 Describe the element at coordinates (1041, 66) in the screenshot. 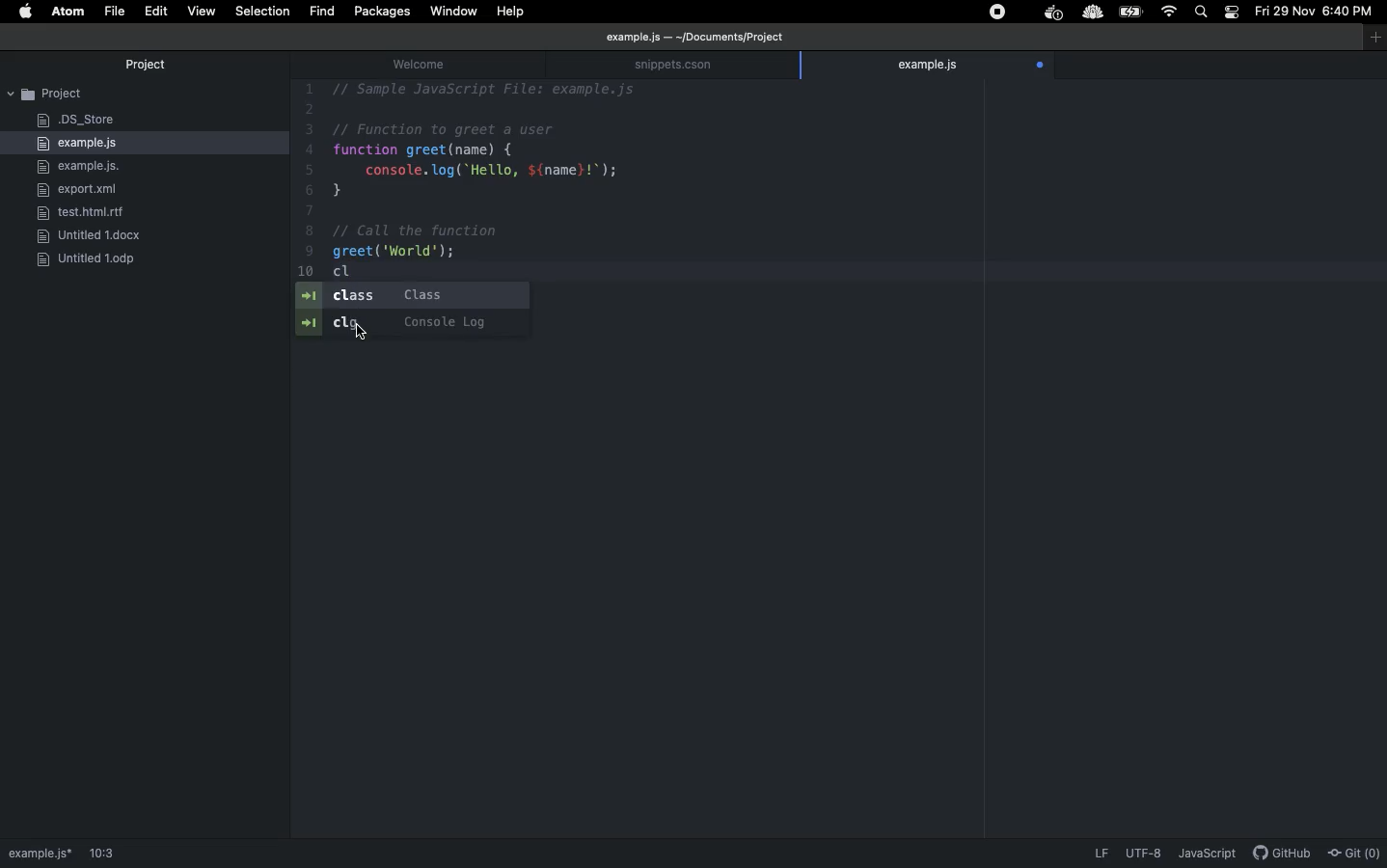

I see `open file tracking` at that location.